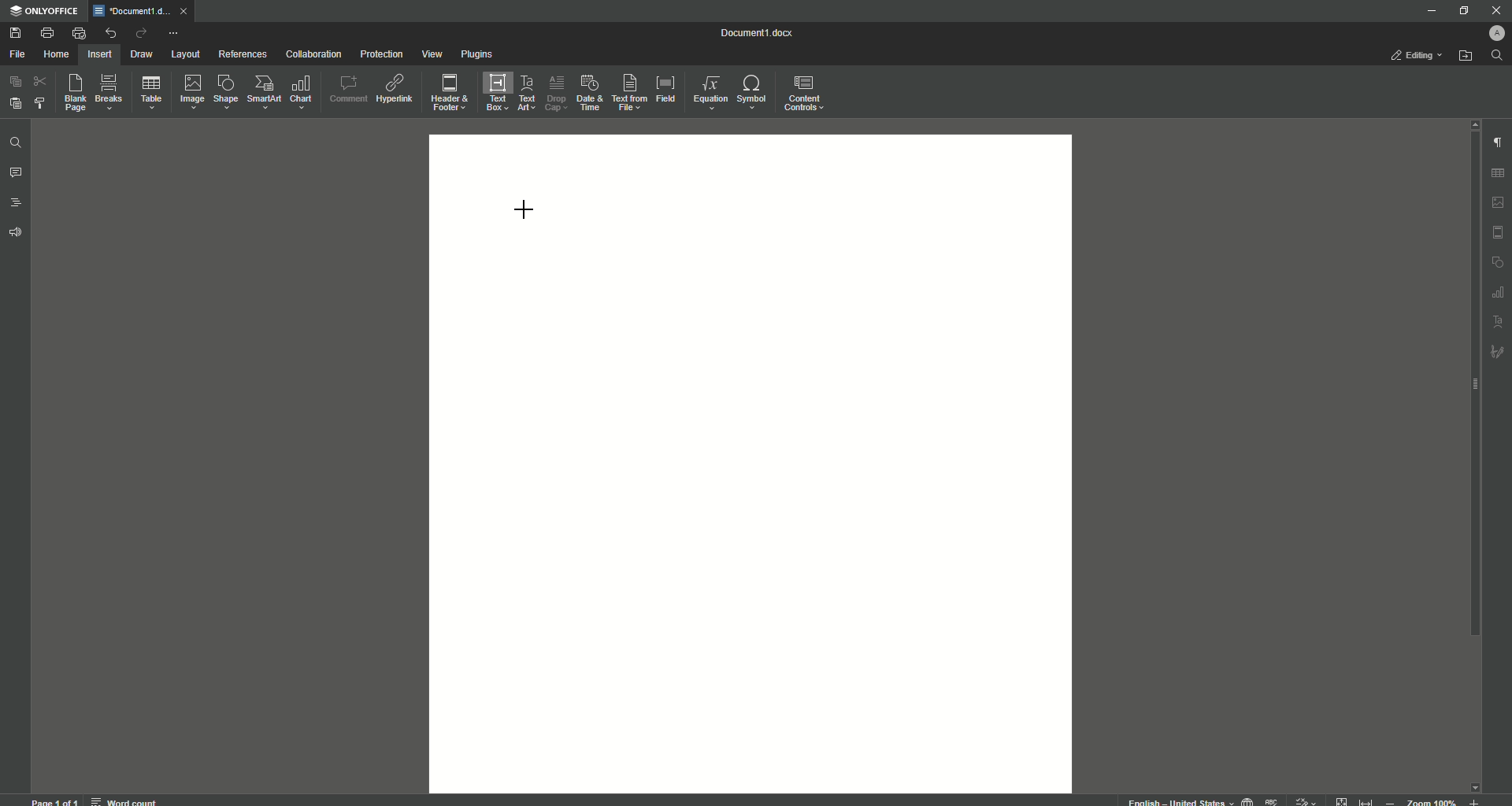 This screenshot has width=1512, height=806. I want to click on text art, so click(1499, 323).